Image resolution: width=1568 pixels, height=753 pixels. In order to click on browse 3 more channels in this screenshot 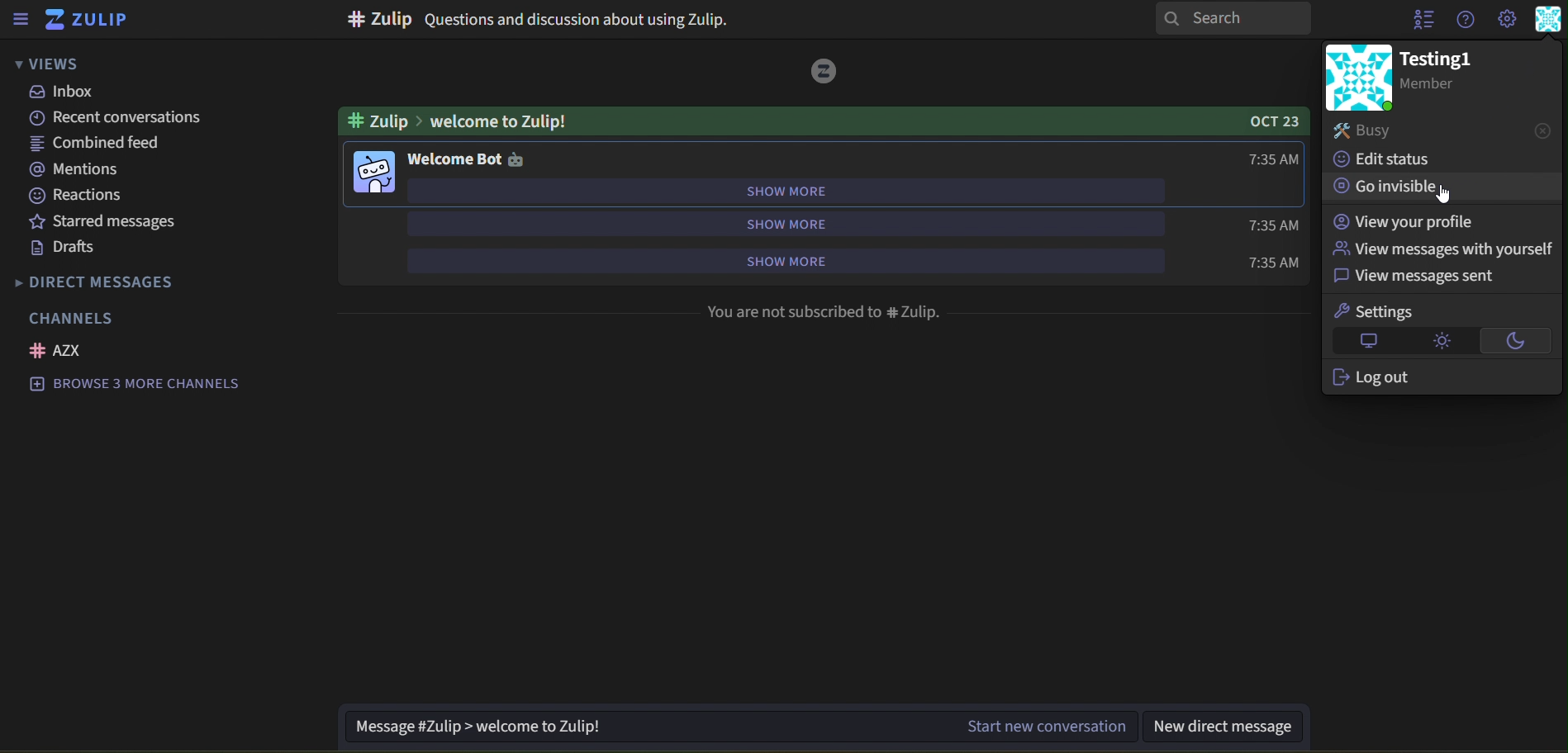, I will do `click(146, 385)`.